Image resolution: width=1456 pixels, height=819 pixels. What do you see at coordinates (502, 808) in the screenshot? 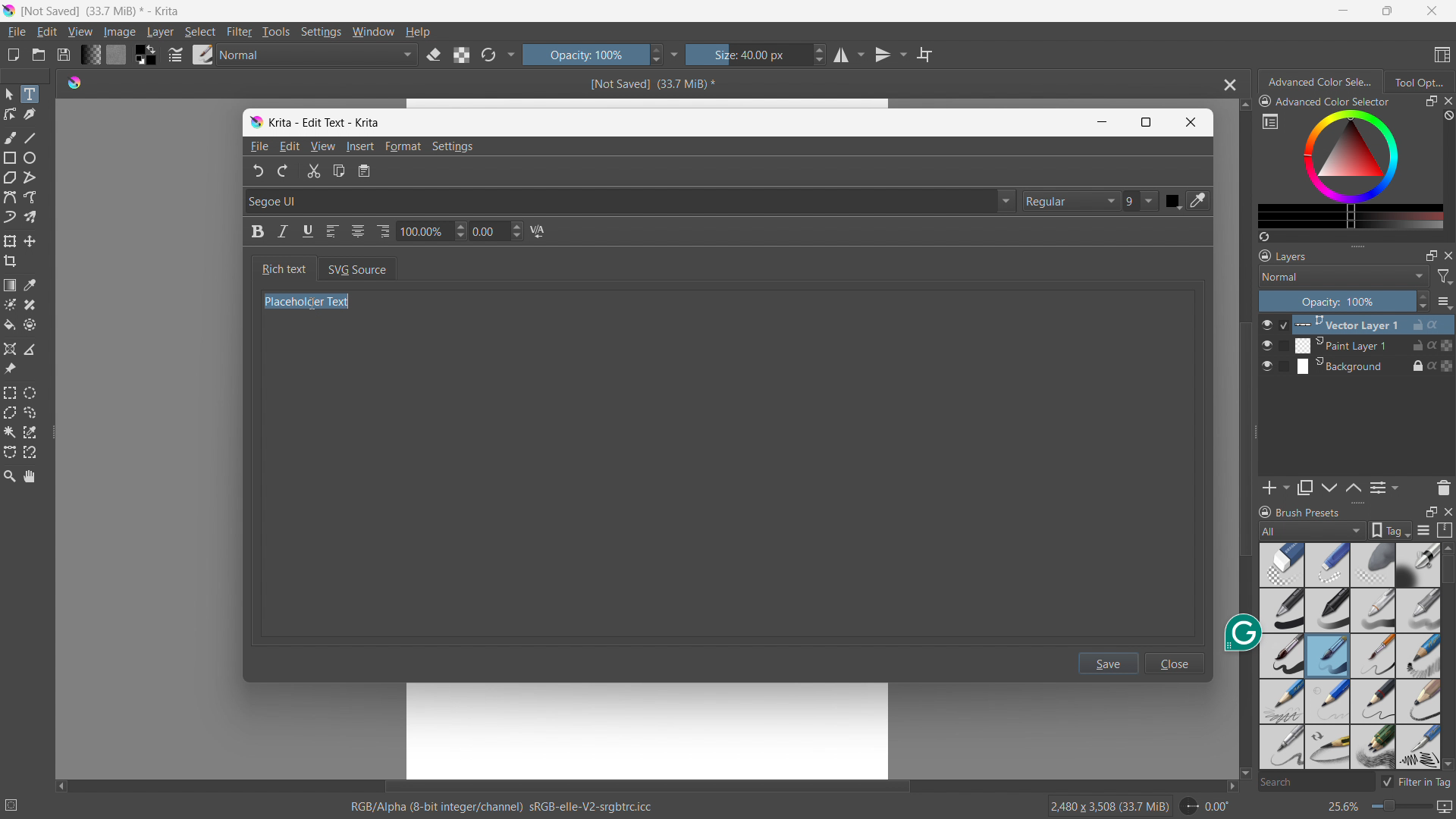
I see `RGB/ Alpha (8- bit integer/ channel)` at bounding box center [502, 808].